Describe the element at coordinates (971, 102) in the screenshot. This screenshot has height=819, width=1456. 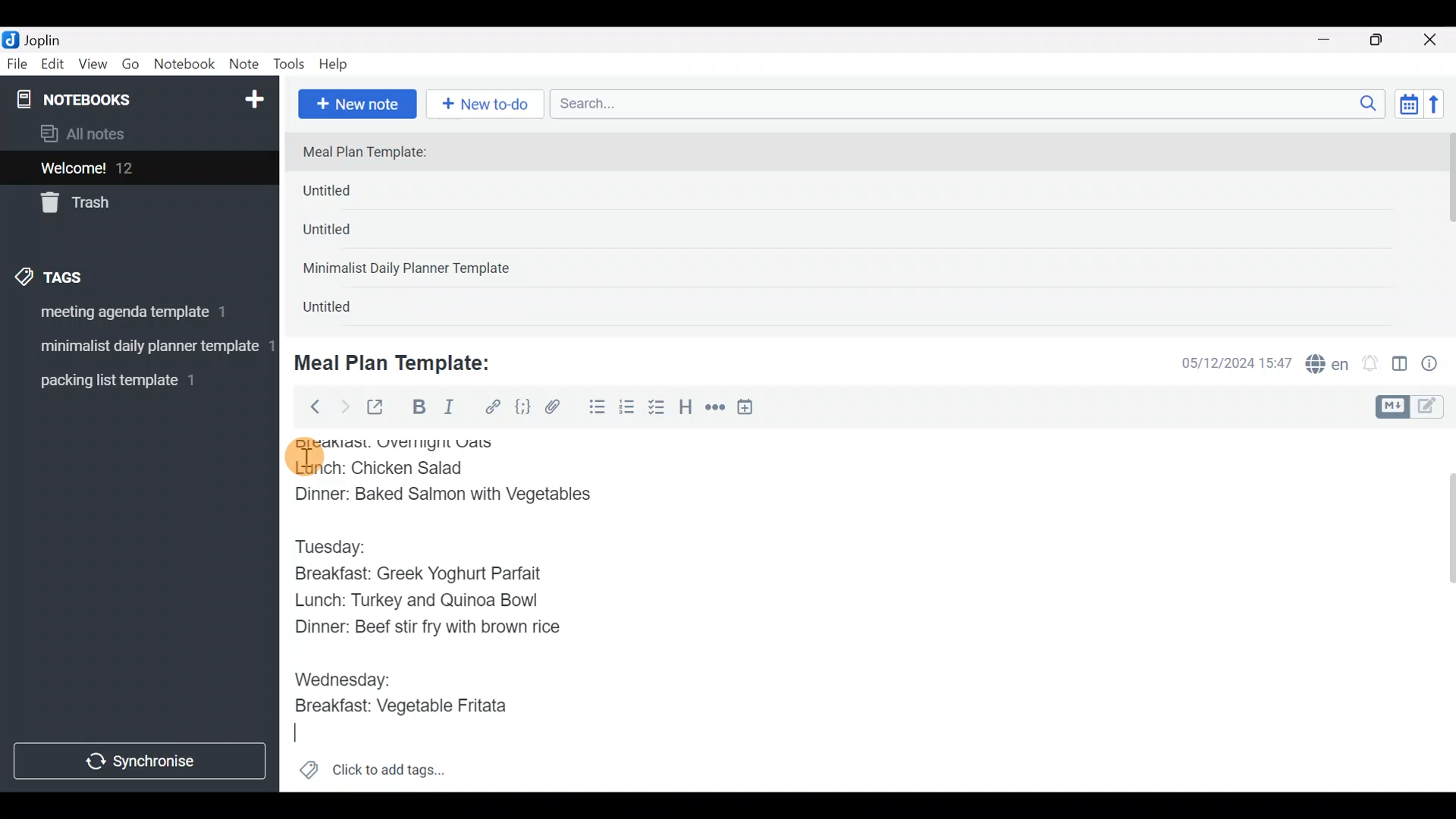
I see `Search bar` at that location.